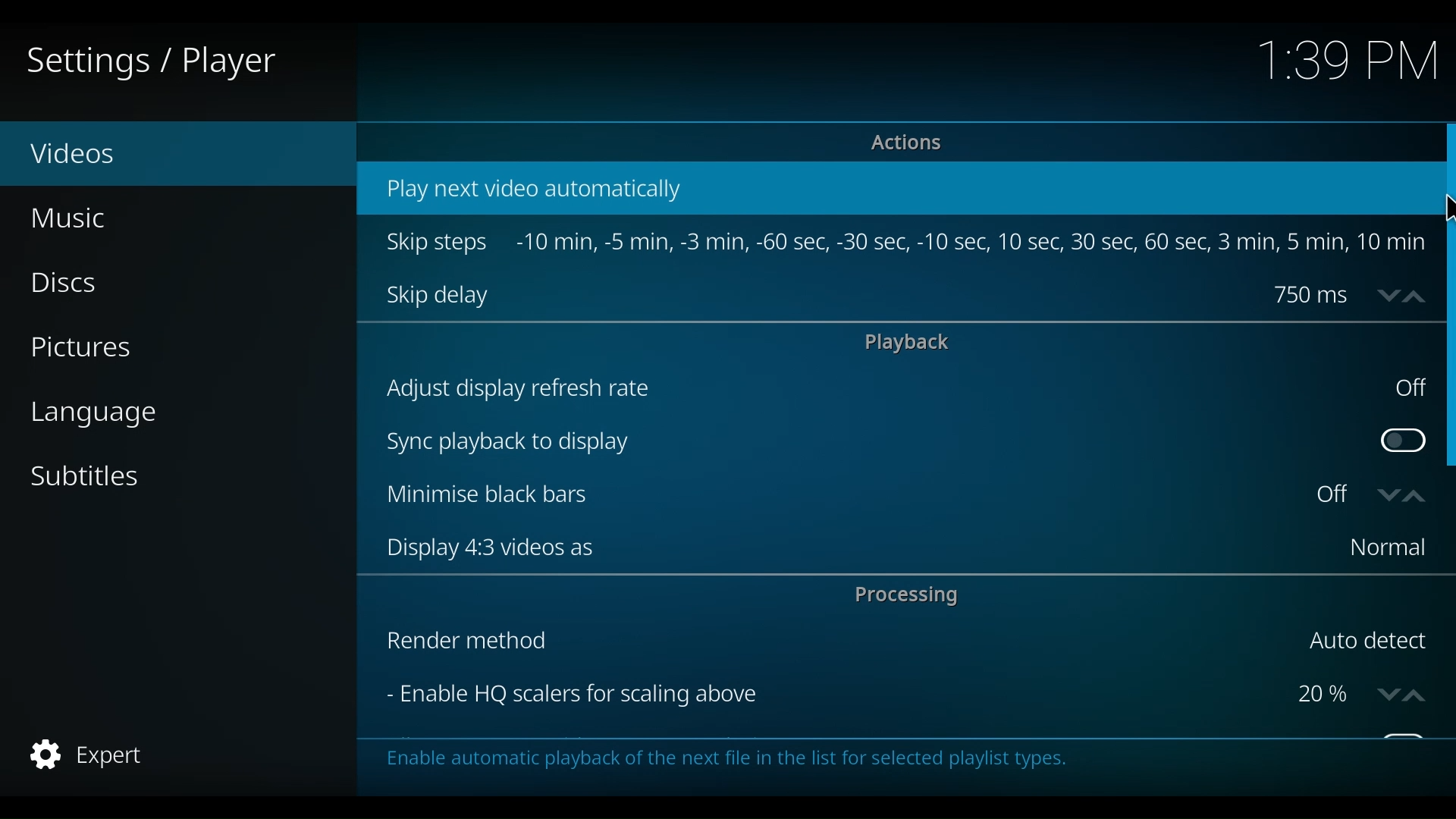 Image resolution: width=1456 pixels, height=819 pixels. I want to click on Expert, so click(90, 755).